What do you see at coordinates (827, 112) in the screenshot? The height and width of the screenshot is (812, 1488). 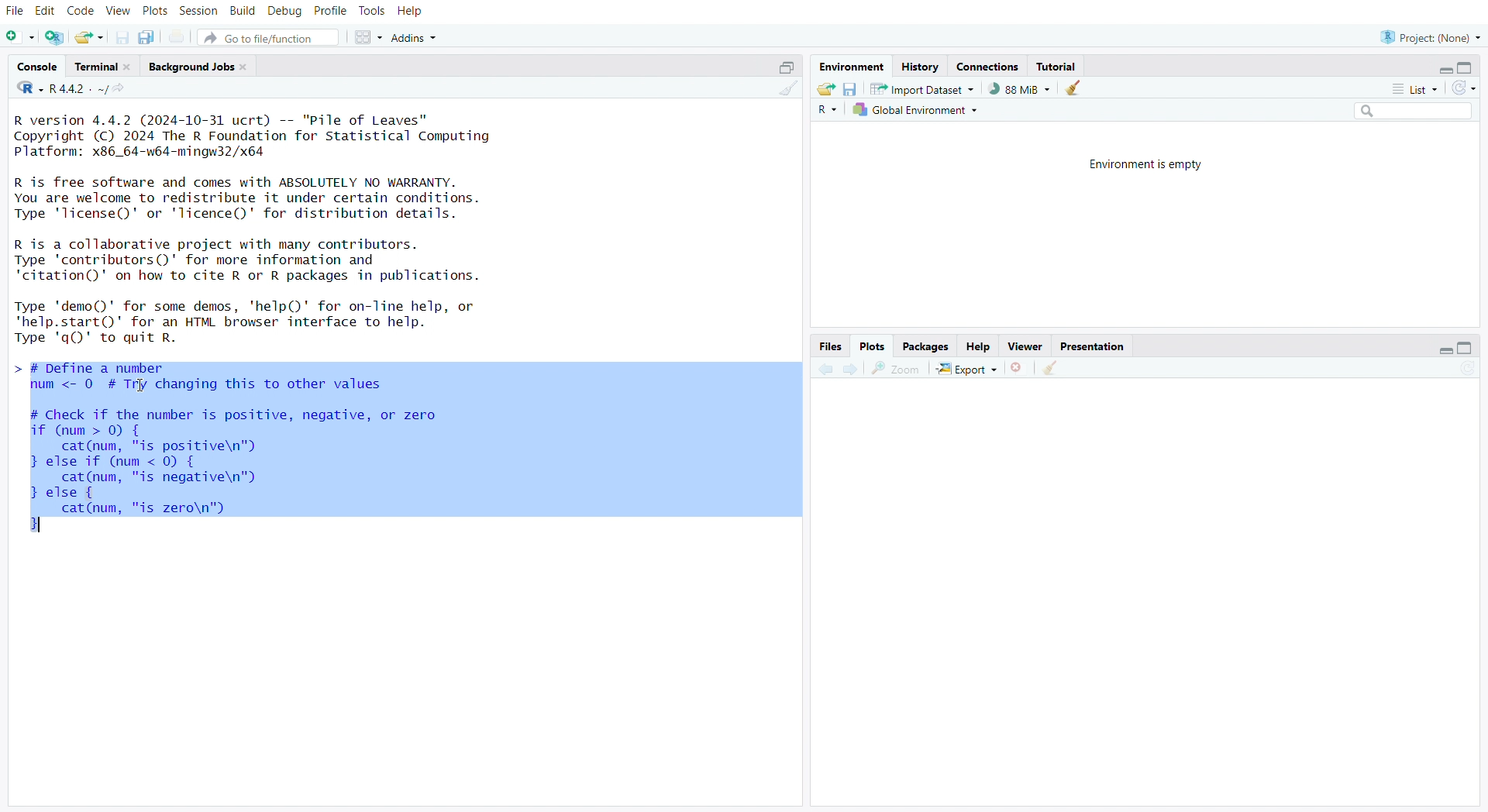 I see `R` at bounding box center [827, 112].